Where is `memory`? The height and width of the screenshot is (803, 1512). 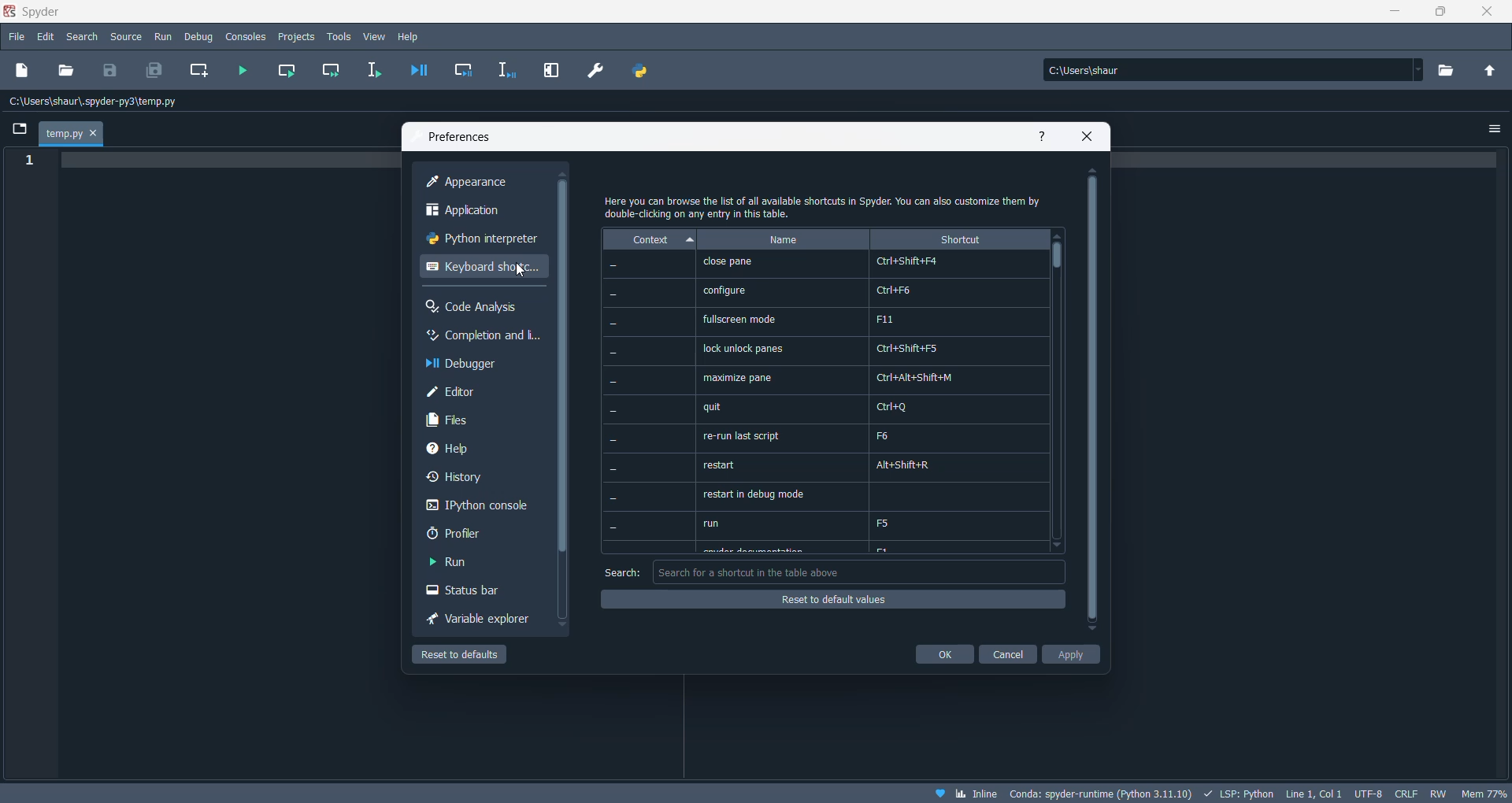 memory is located at coordinates (1483, 792).